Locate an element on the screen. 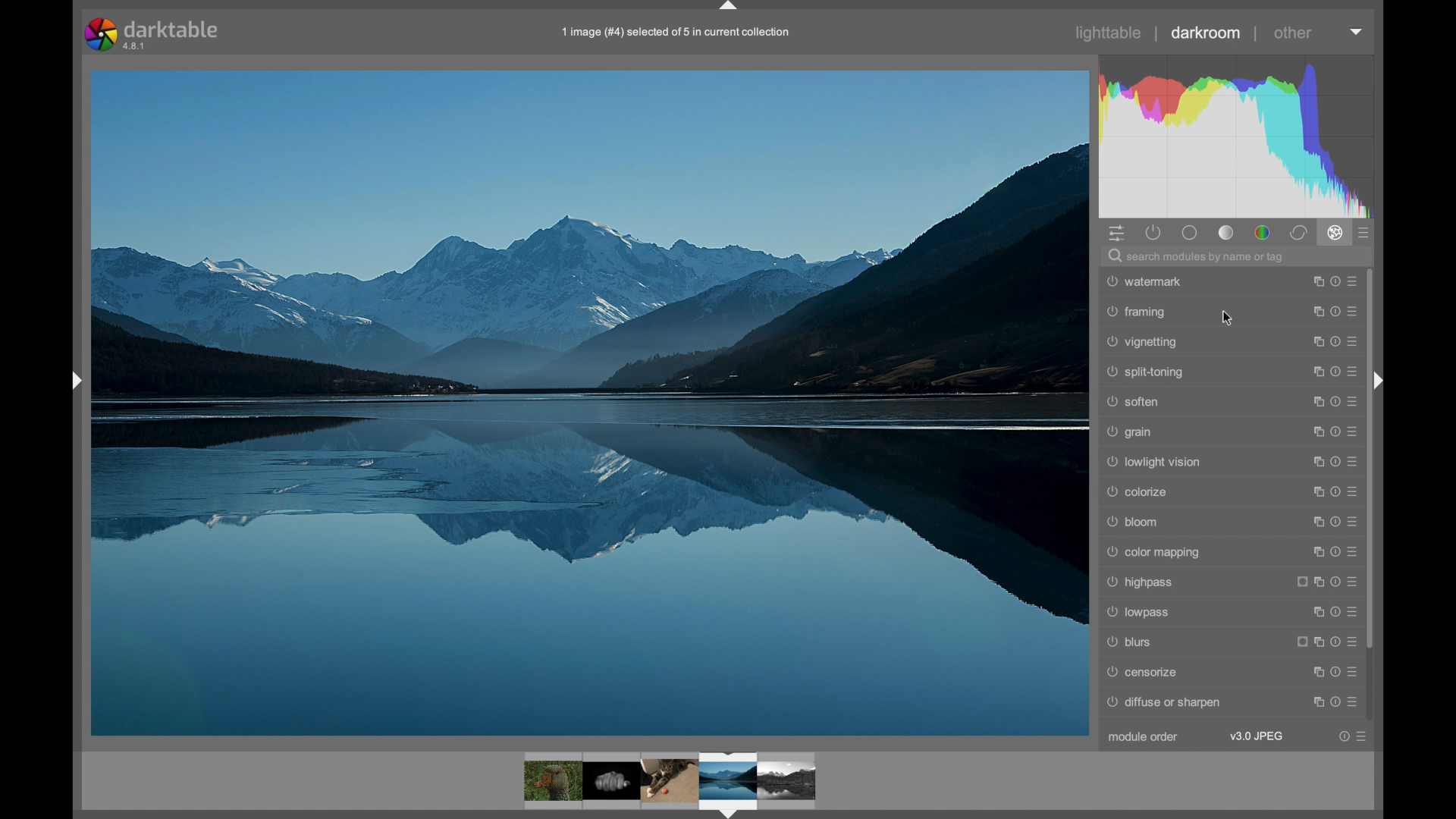  other is located at coordinates (1295, 33).